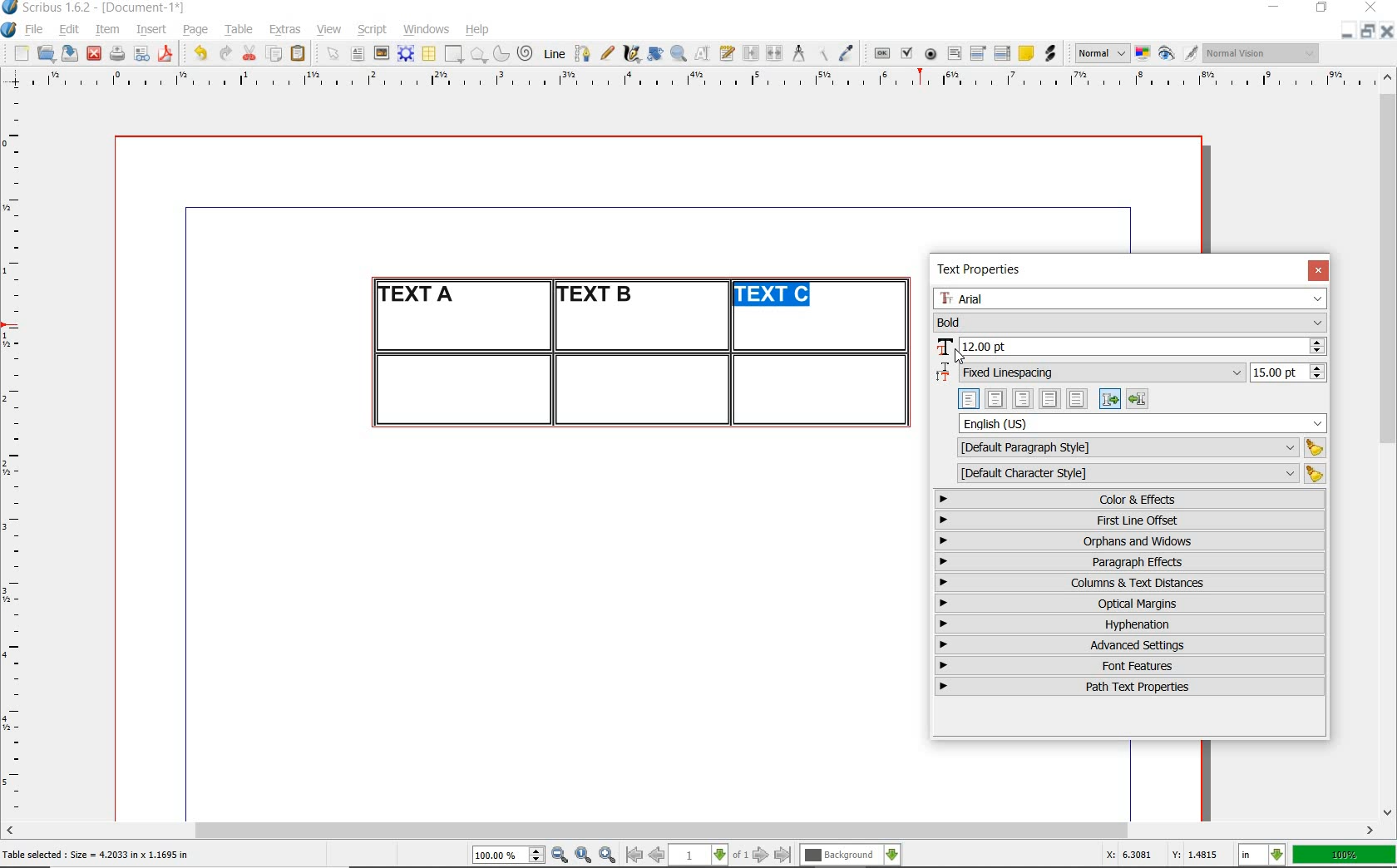 The height and width of the screenshot is (868, 1397). I want to click on pdf radio button, so click(931, 56).